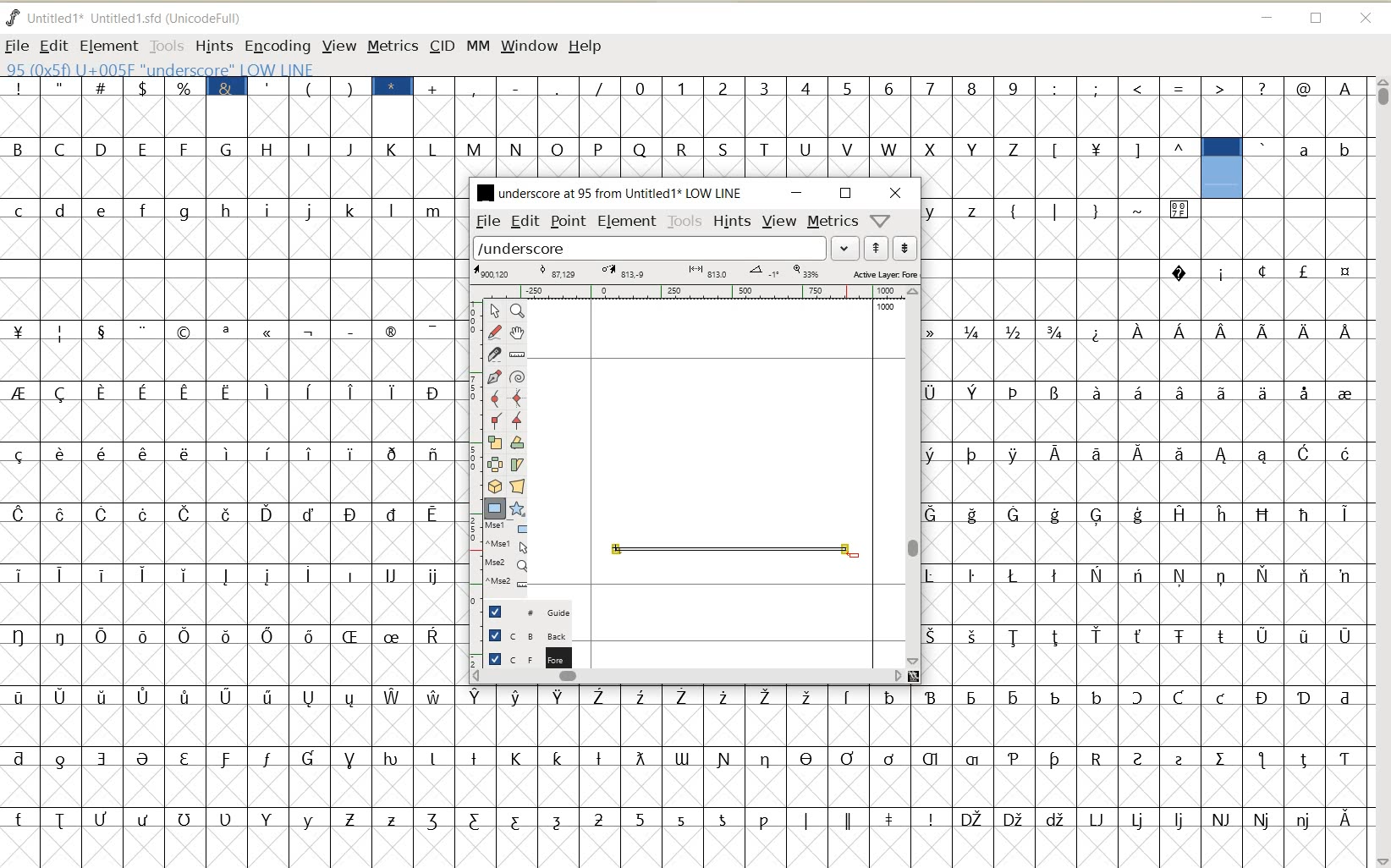  Describe the element at coordinates (877, 248) in the screenshot. I see `show previous word list` at that location.